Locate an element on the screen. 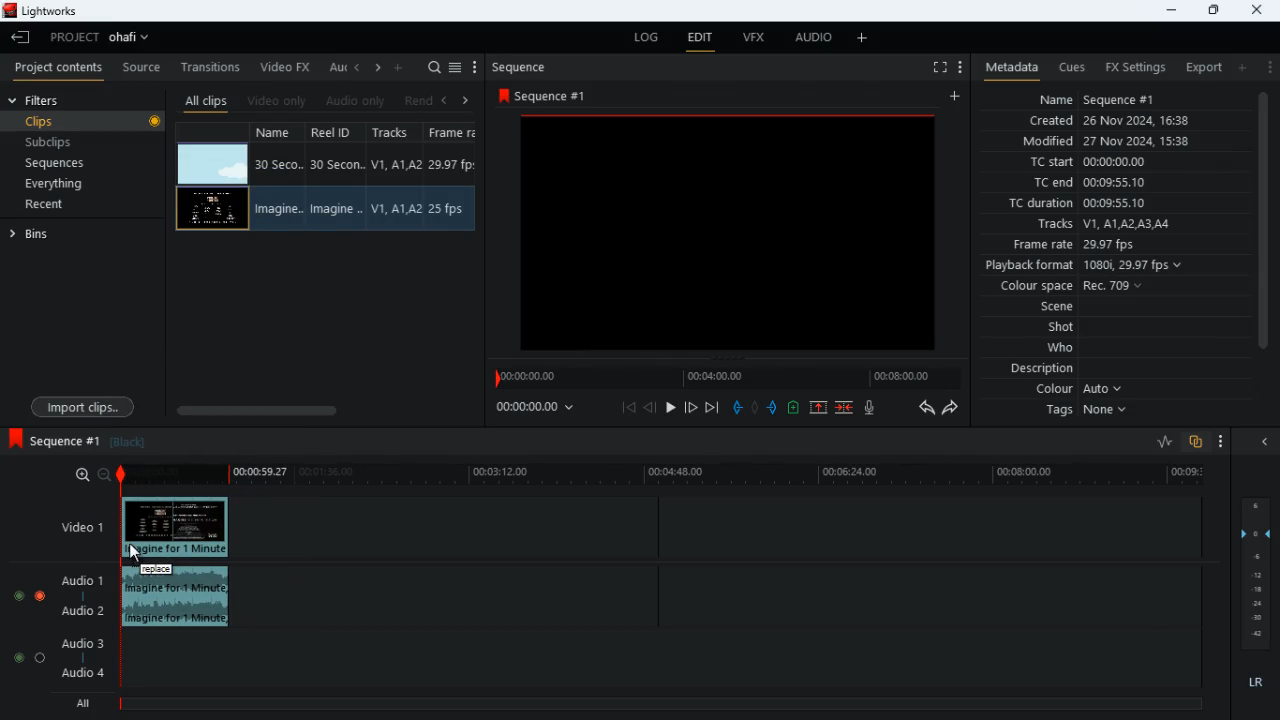 Image resolution: width=1280 pixels, height=720 pixels. zoom is located at coordinates (85, 474).